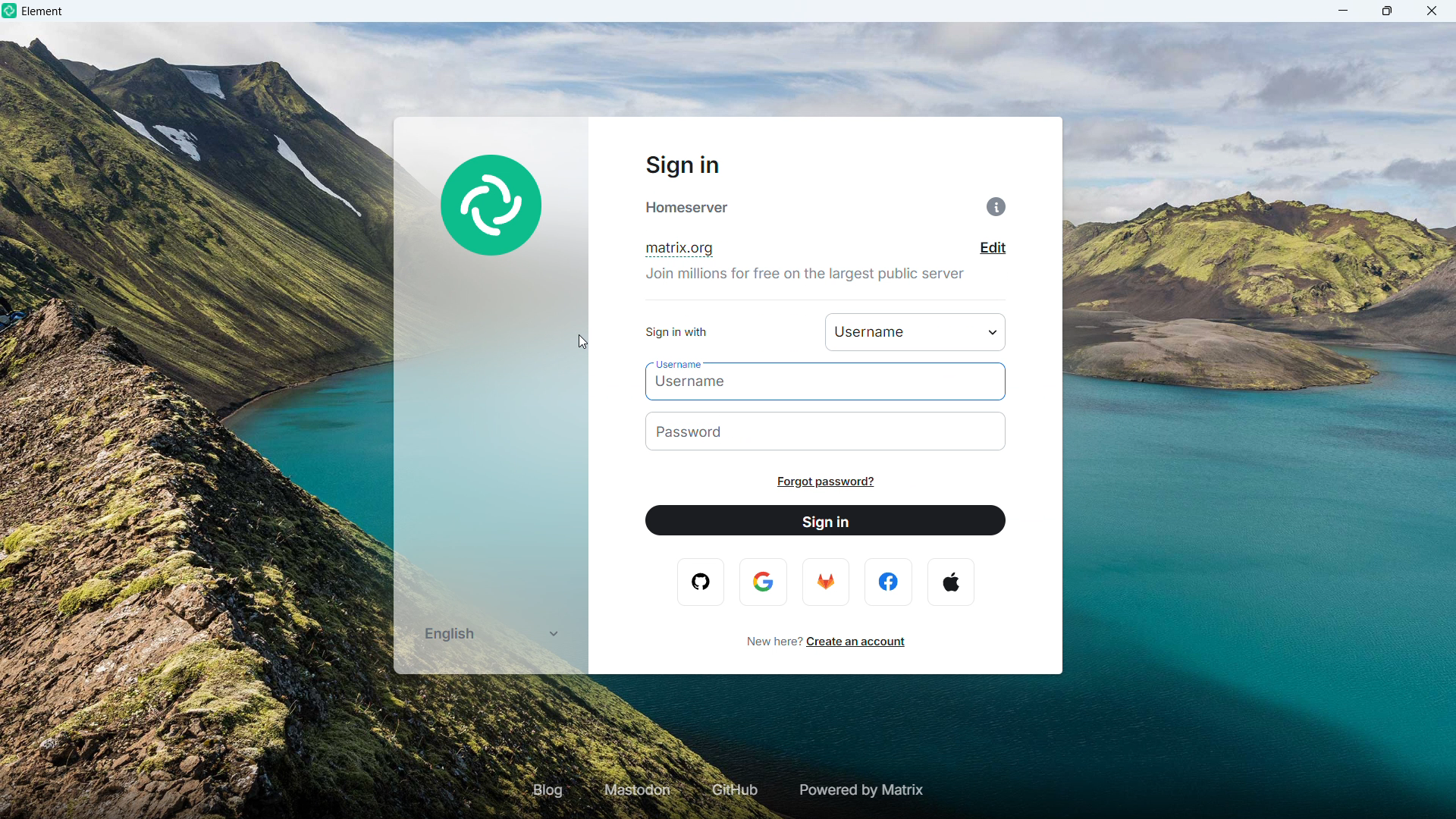  I want to click on Edit domain , so click(993, 248).